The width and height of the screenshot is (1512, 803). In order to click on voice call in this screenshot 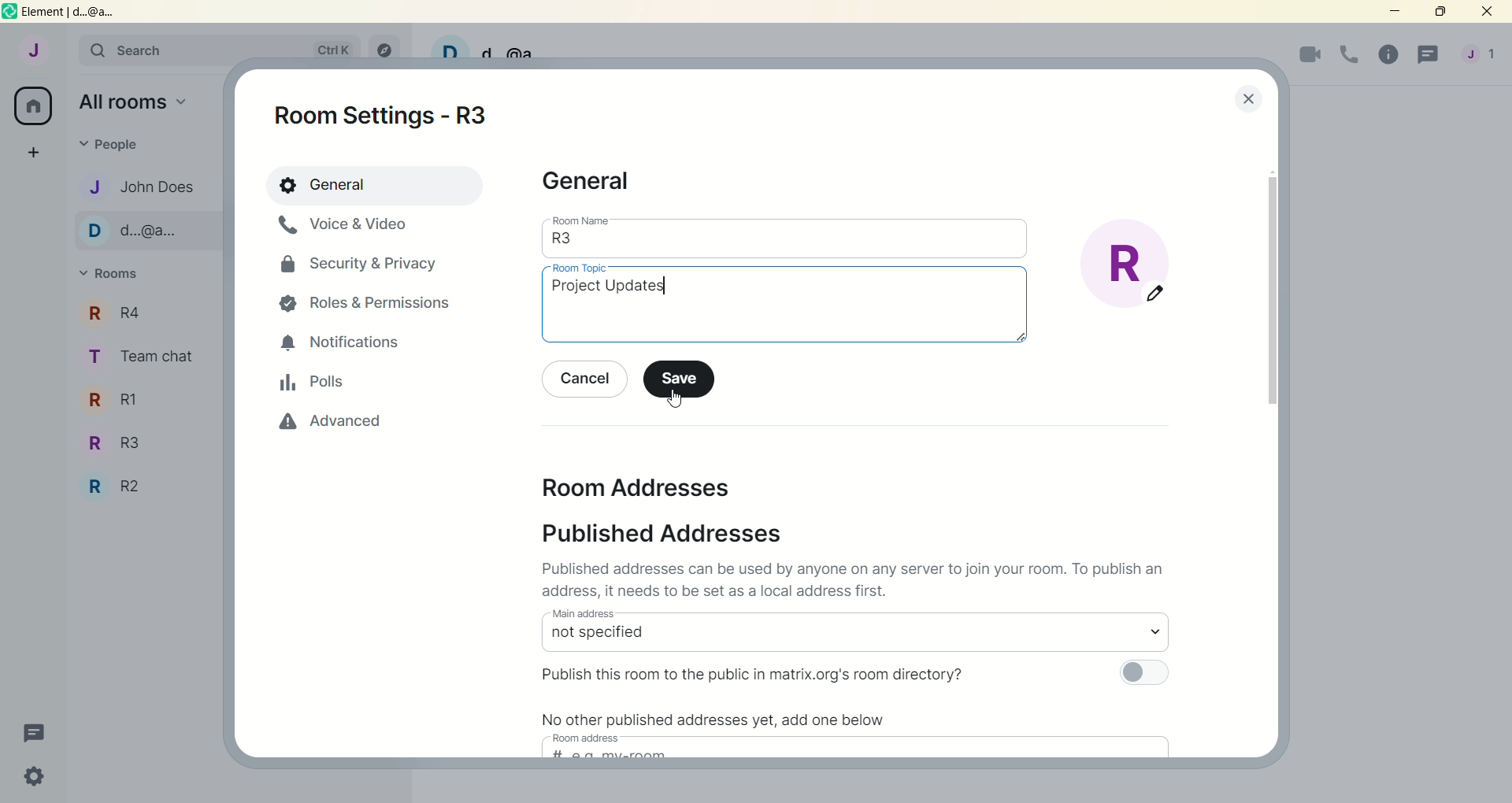, I will do `click(1350, 54)`.